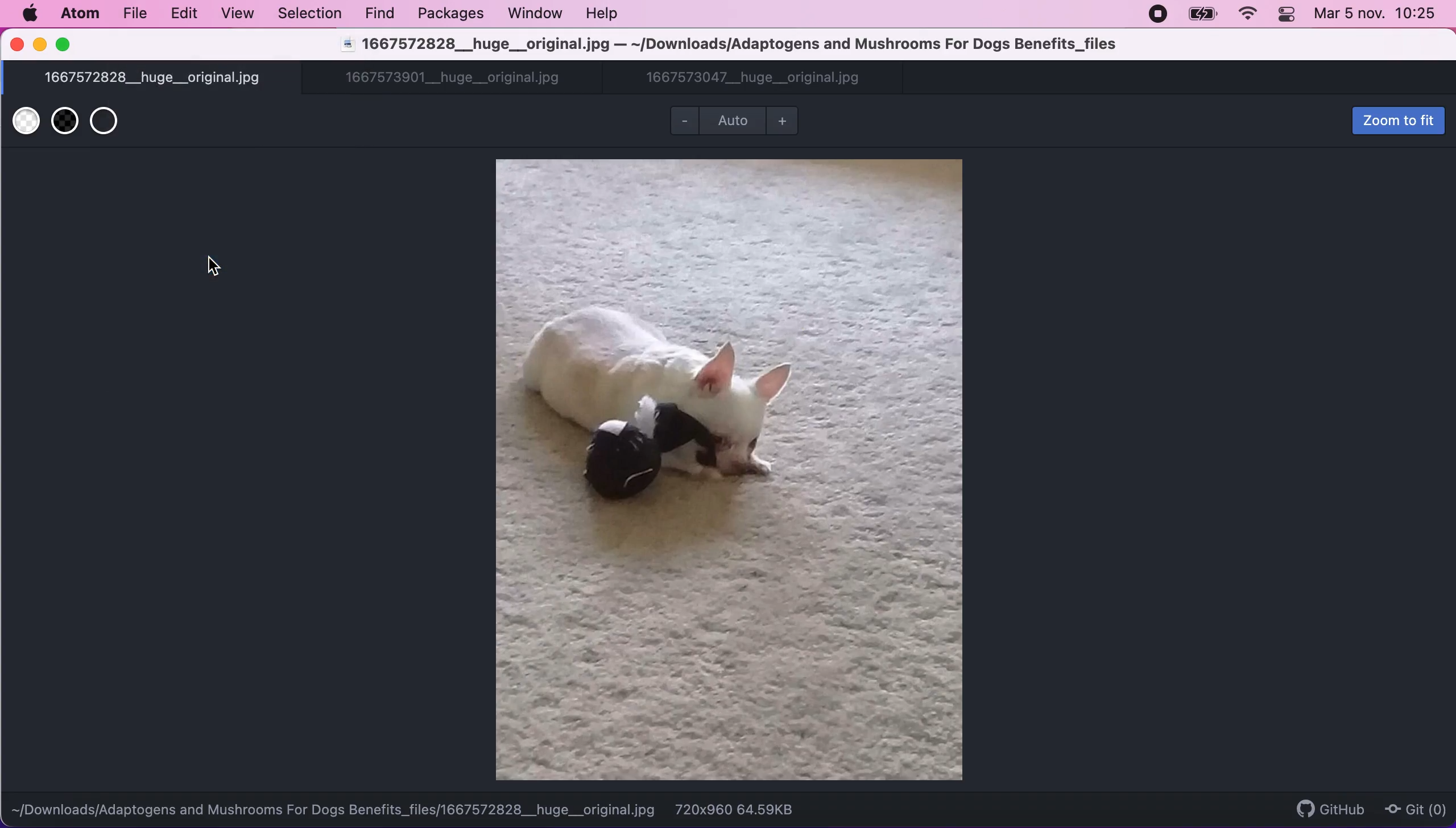  What do you see at coordinates (383, 14) in the screenshot?
I see `find` at bounding box center [383, 14].